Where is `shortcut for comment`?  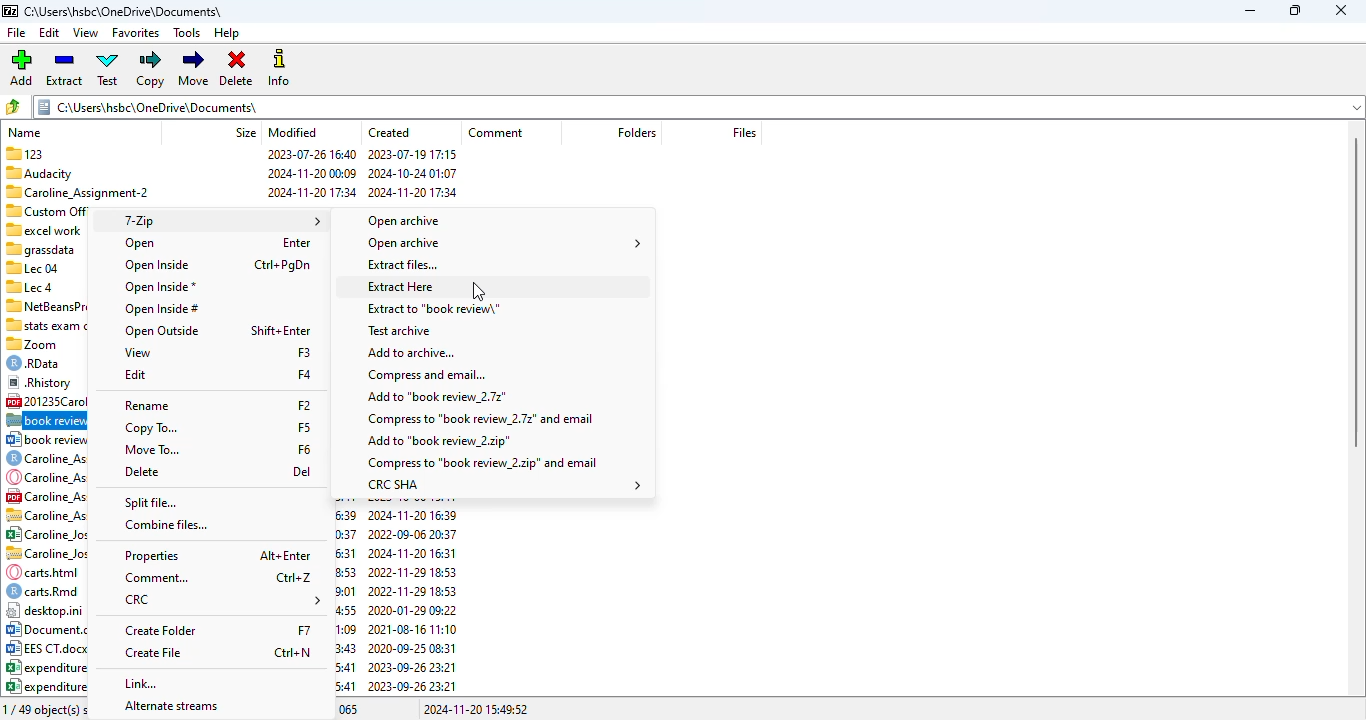
shortcut for comment is located at coordinates (294, 577).